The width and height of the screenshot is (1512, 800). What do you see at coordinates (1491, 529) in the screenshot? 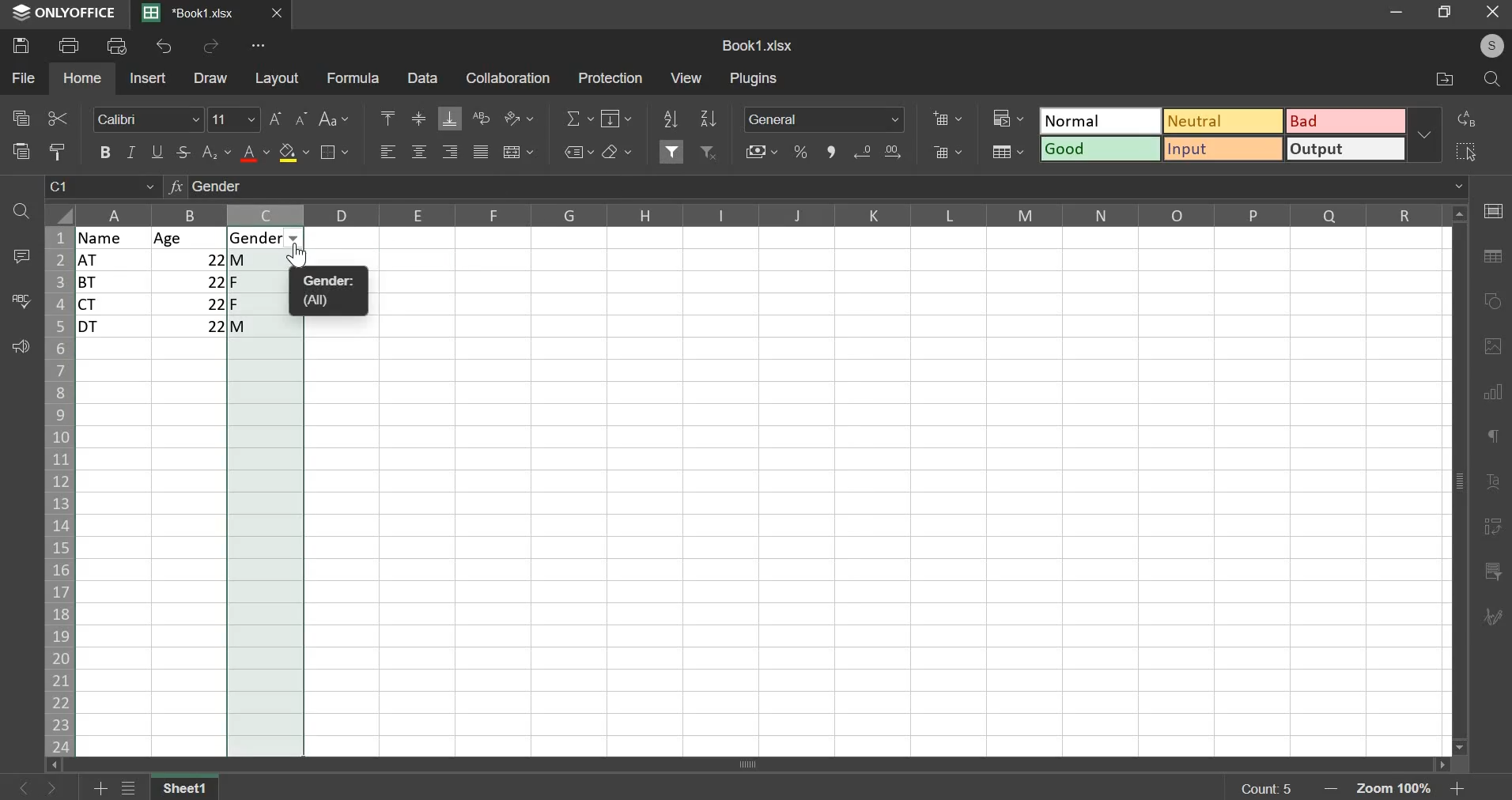
I see `pivot table` at bounding box center [1491, 529].